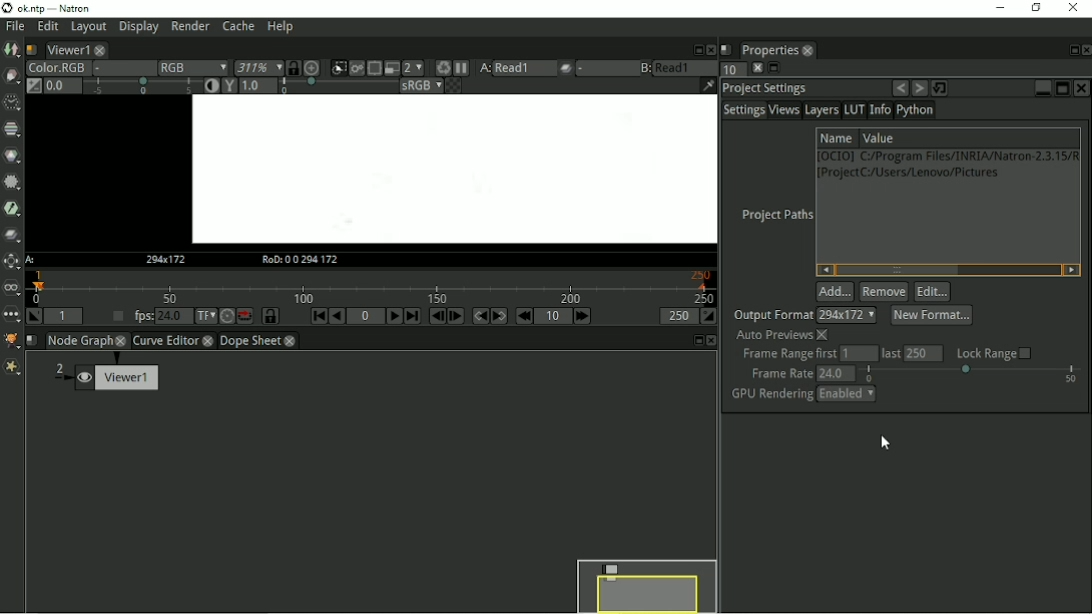 This screenshot has height=614, width=1092. What do you see at coordinates (933, 316) in the screenshot?
I see `New Format` at bounding box center [933, 316].